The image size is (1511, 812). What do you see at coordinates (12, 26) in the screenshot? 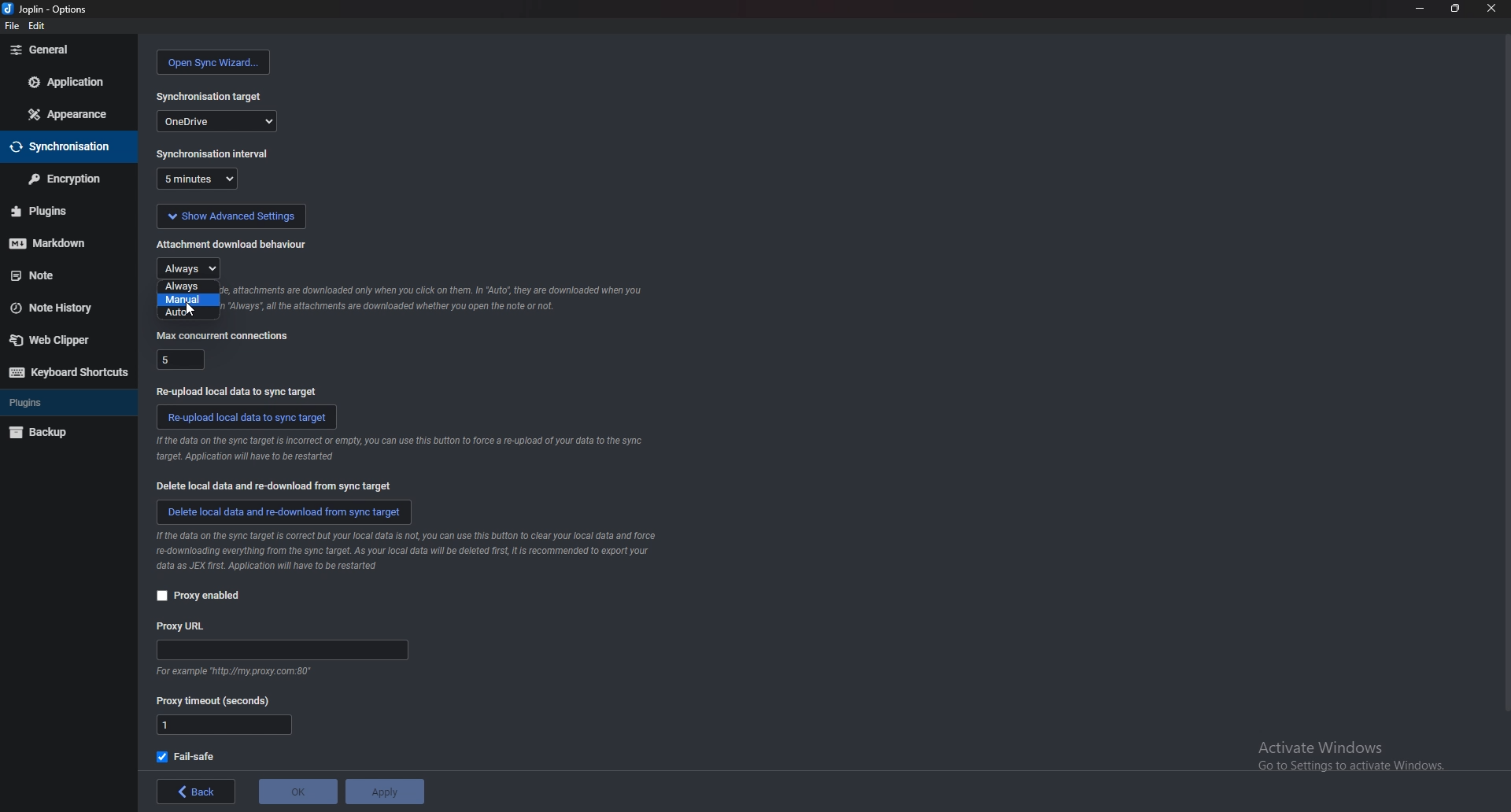
I see `file` at bounding box center [12, 26].